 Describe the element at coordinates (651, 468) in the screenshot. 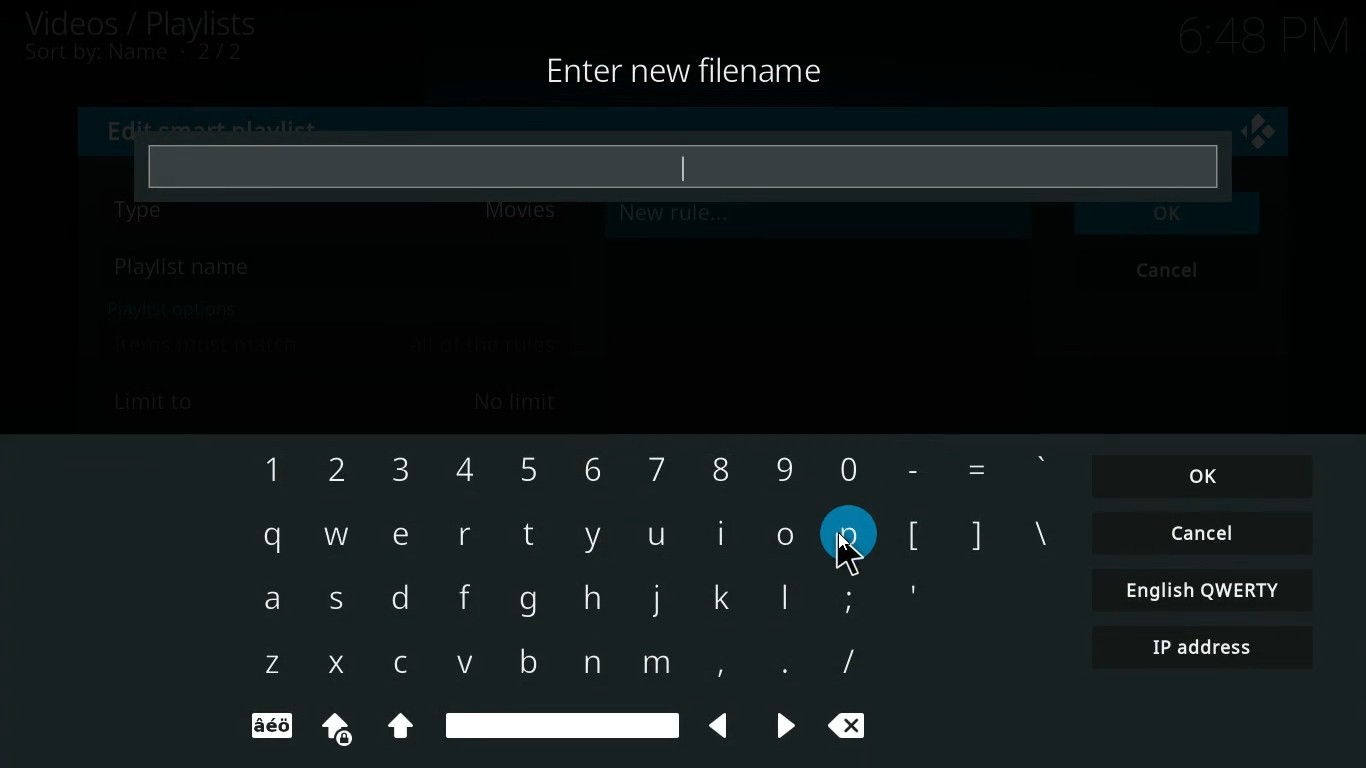

I see `7` at that location.